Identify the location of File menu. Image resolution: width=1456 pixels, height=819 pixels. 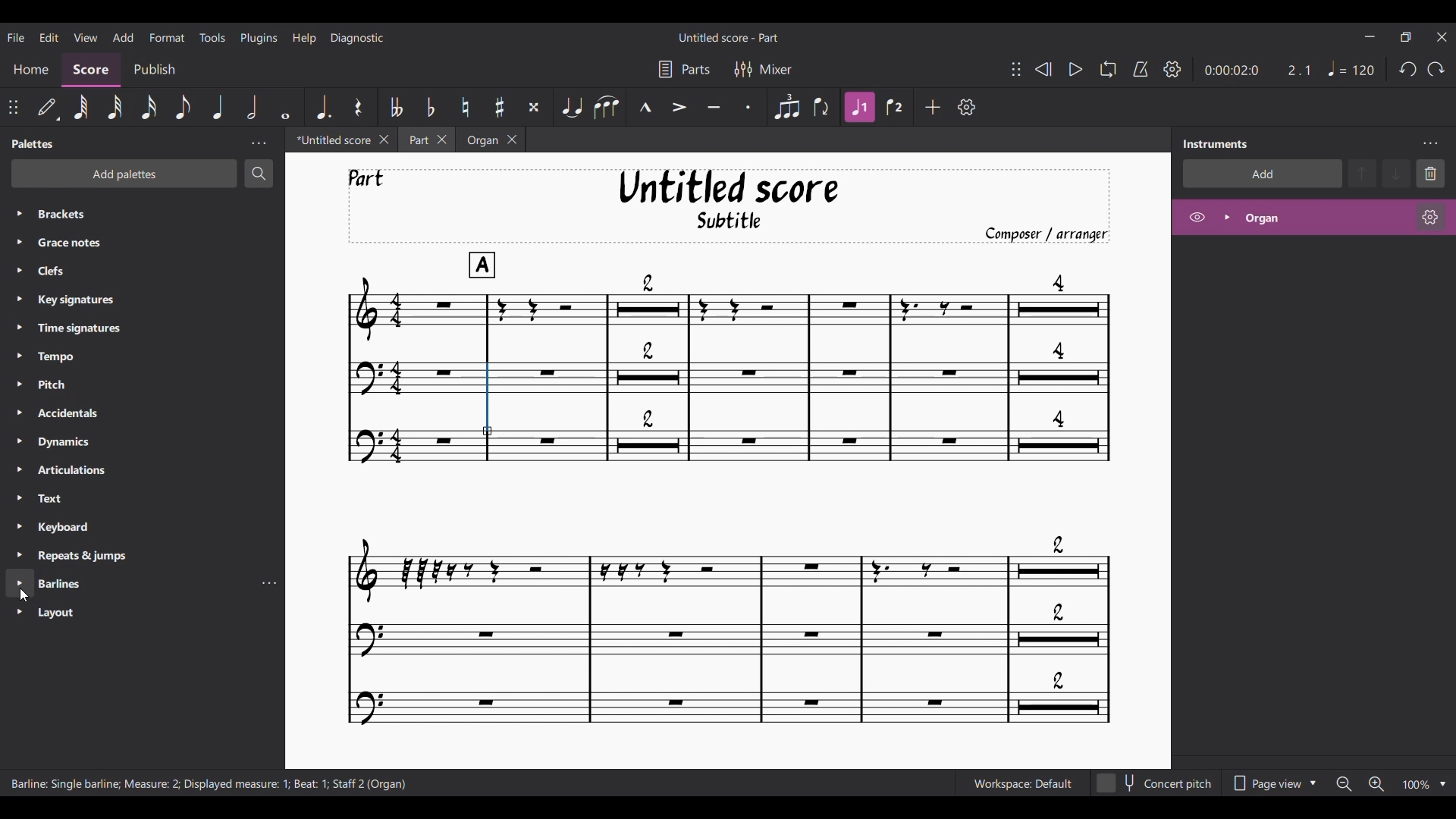
(16, 36).